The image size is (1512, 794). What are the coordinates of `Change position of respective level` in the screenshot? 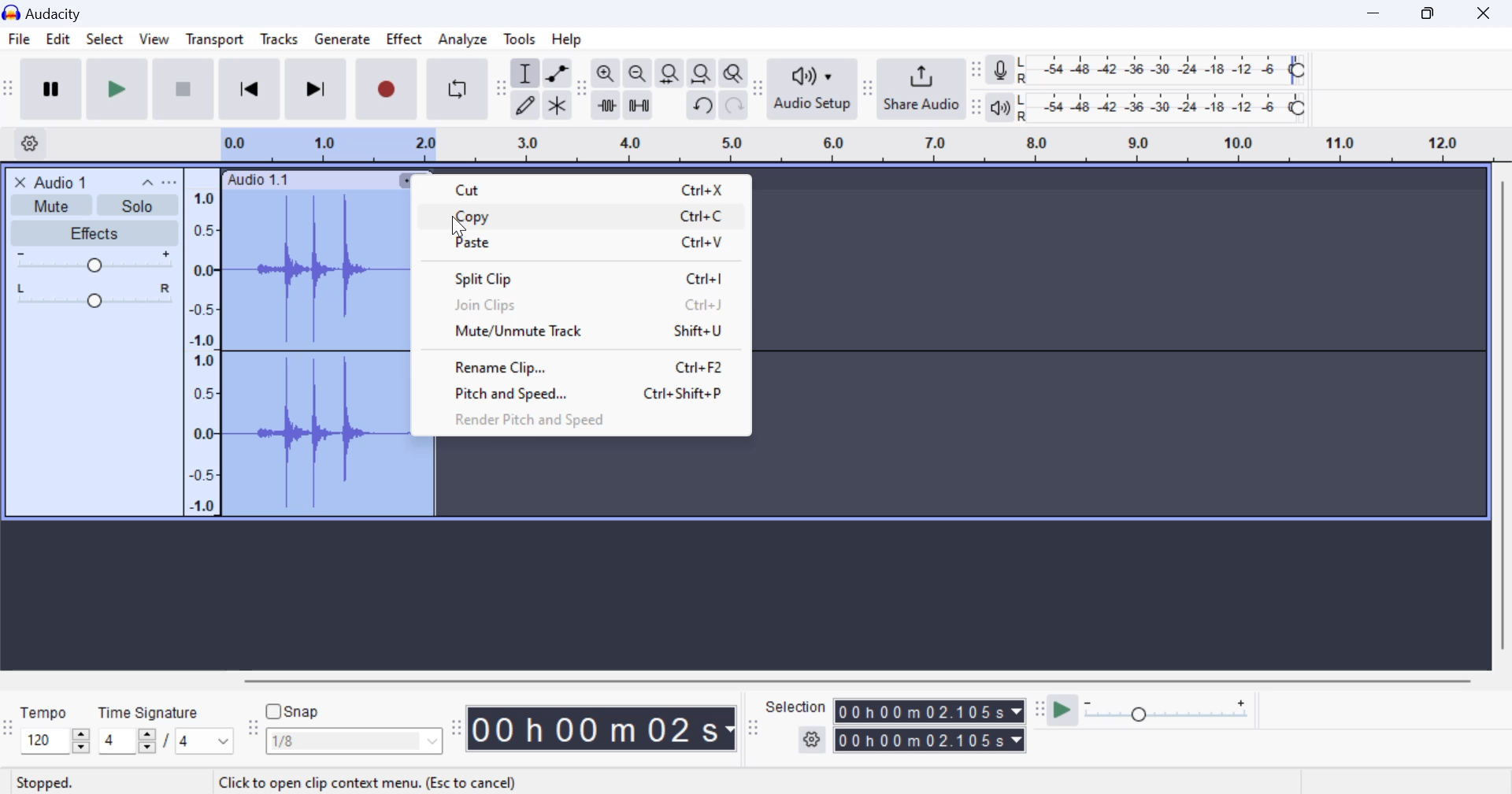 It's located at (977, 88).